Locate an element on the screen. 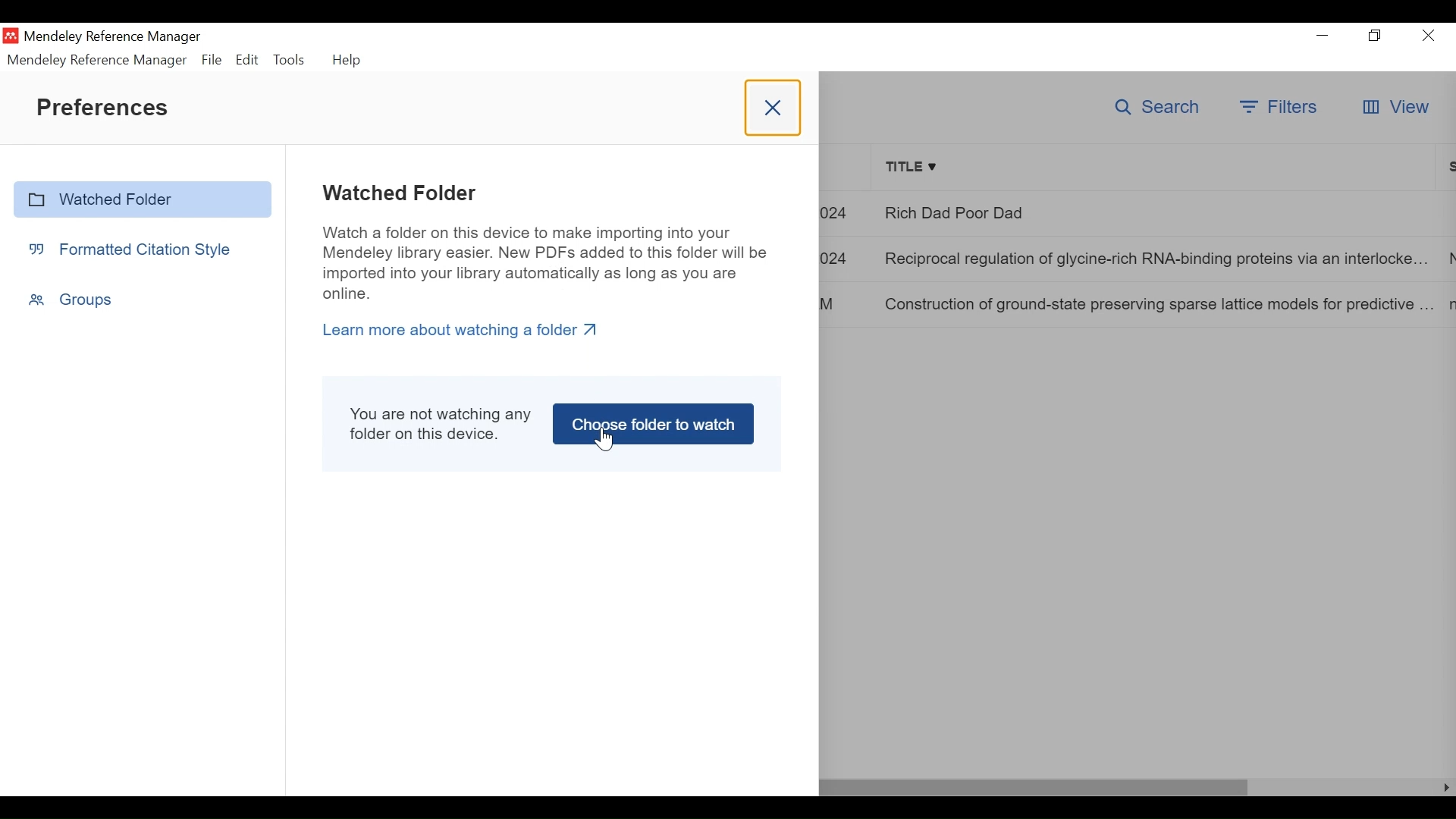 The width and height of the screenshot is (1456, 819). Filter is located at coordinates (1278, 105).